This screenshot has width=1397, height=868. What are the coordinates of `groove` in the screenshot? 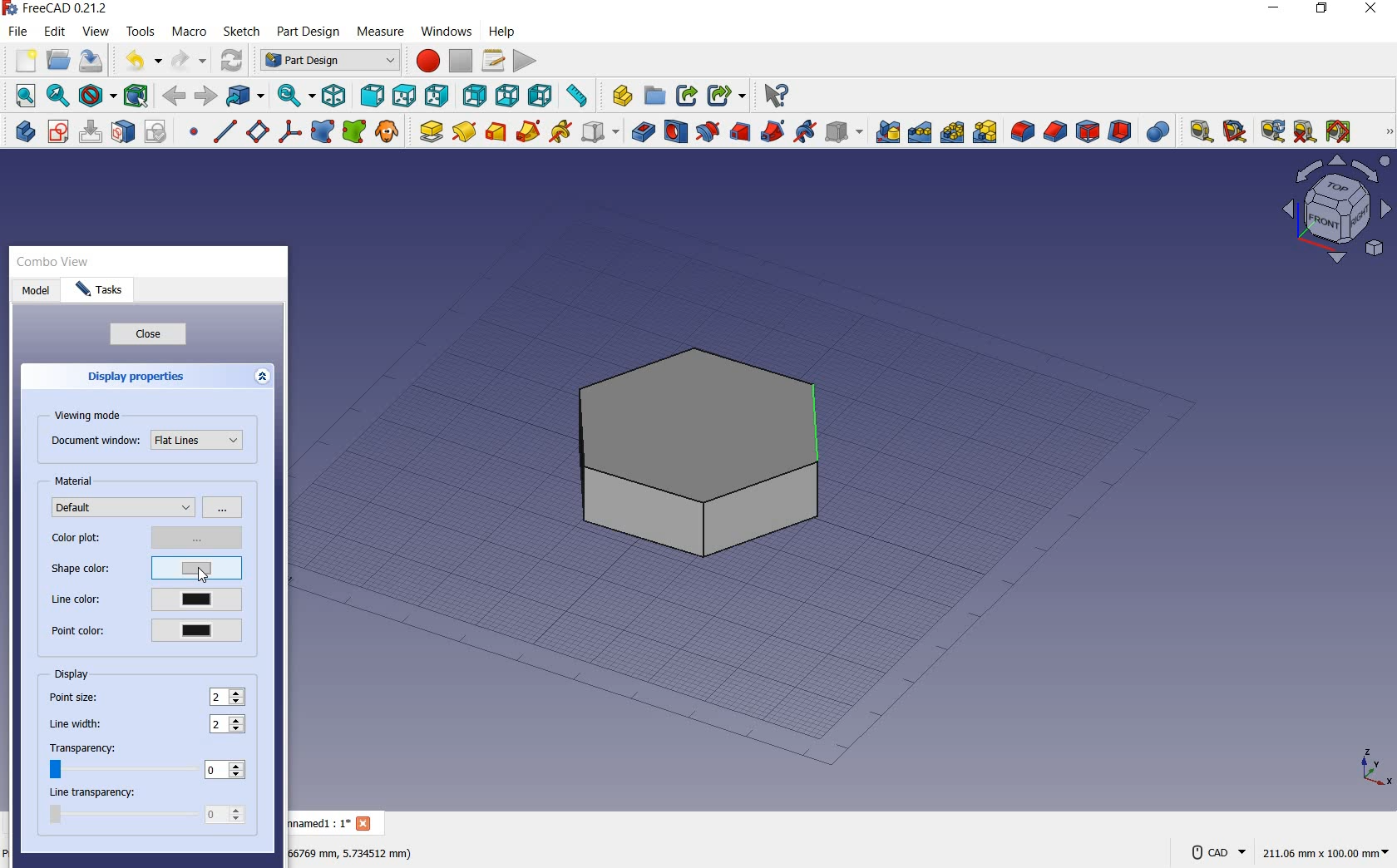 It's located at (706, 132).